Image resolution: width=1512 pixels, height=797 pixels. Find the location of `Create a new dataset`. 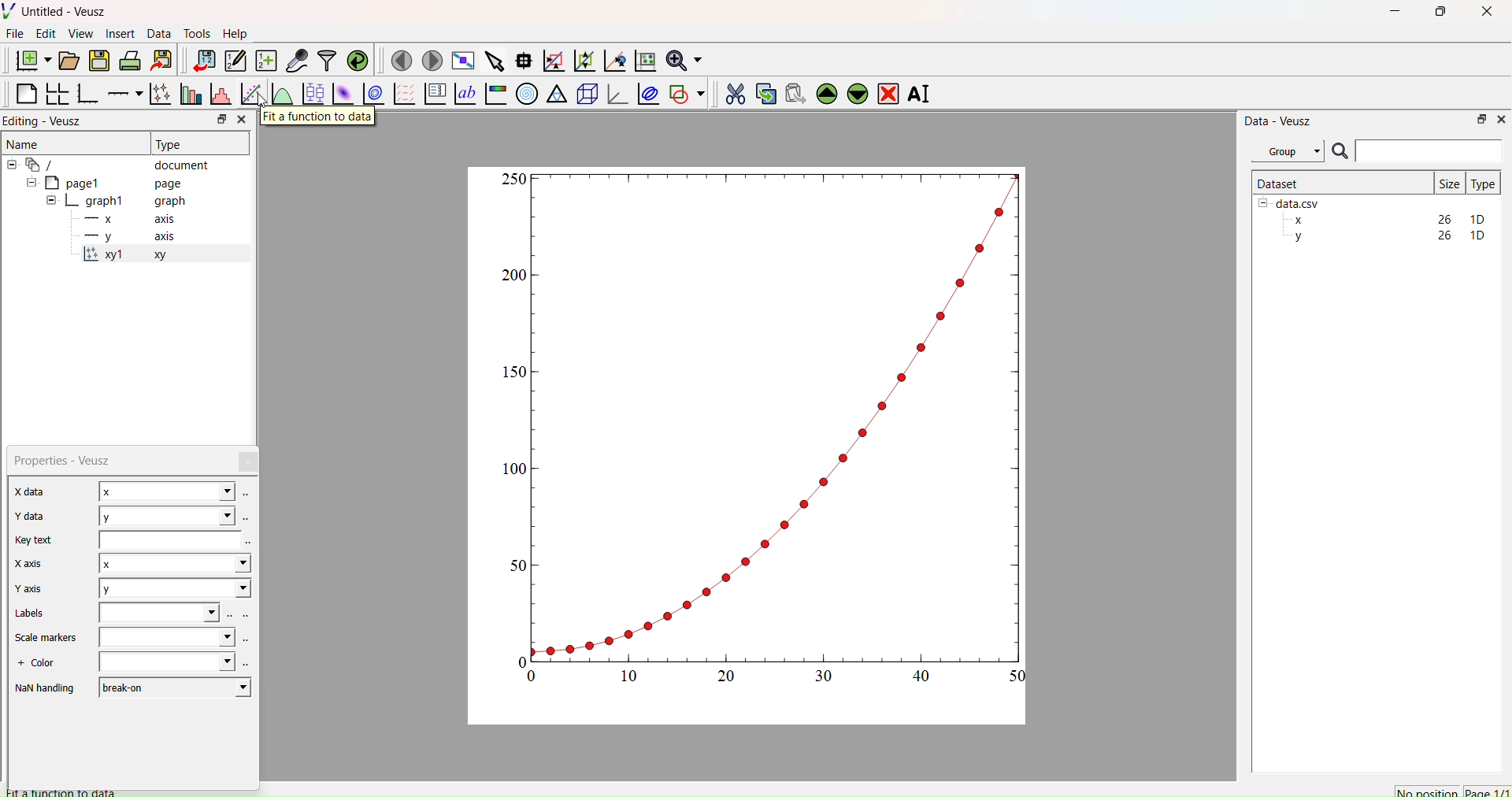

Create a new dataset is located at coordinates (265, 61).